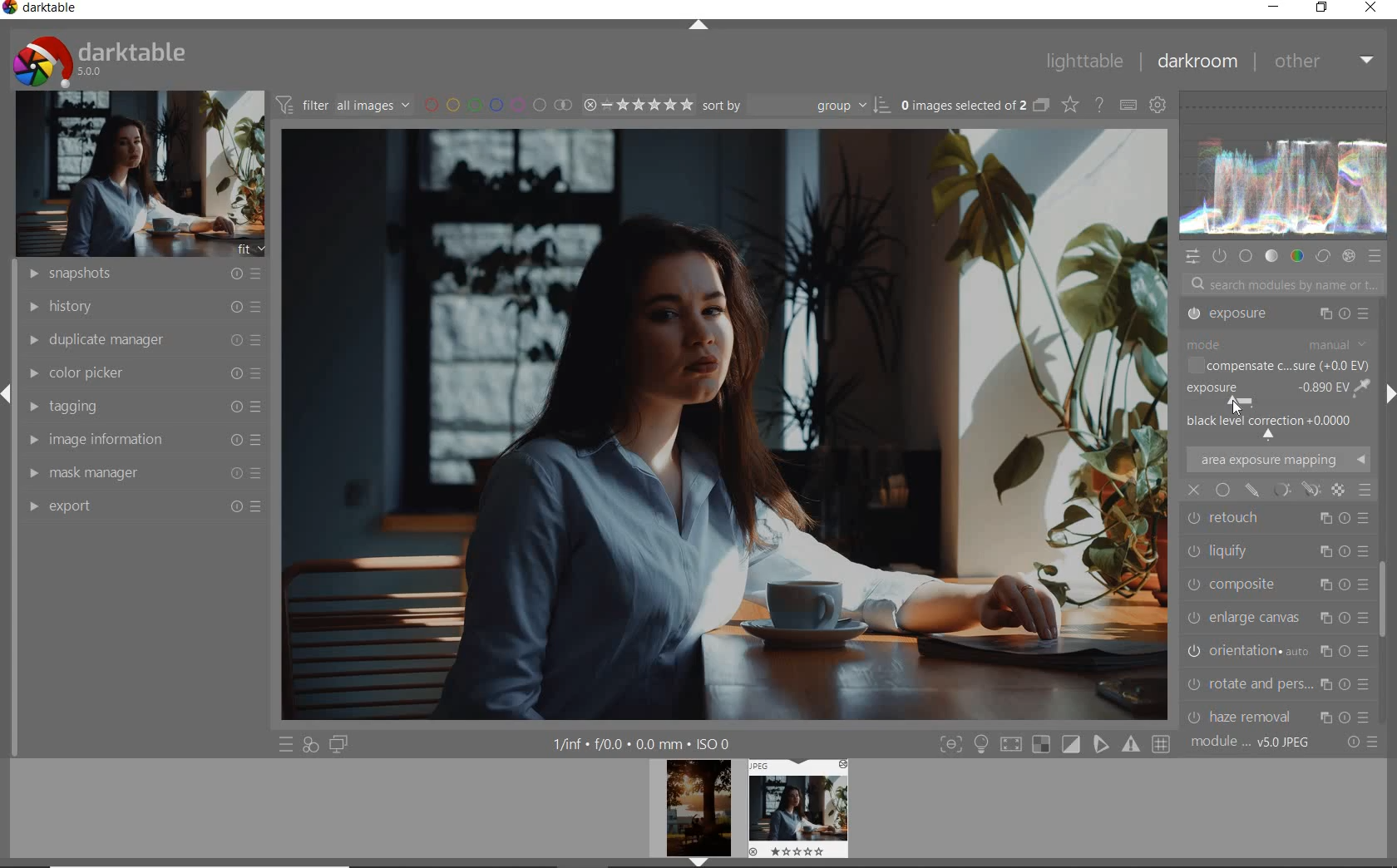 The width and height of the screenshot is (1397, 868). What do you see at coordinates (886, 554) in the screenshot?
I see `selected area` at bounding box center [886, 554].